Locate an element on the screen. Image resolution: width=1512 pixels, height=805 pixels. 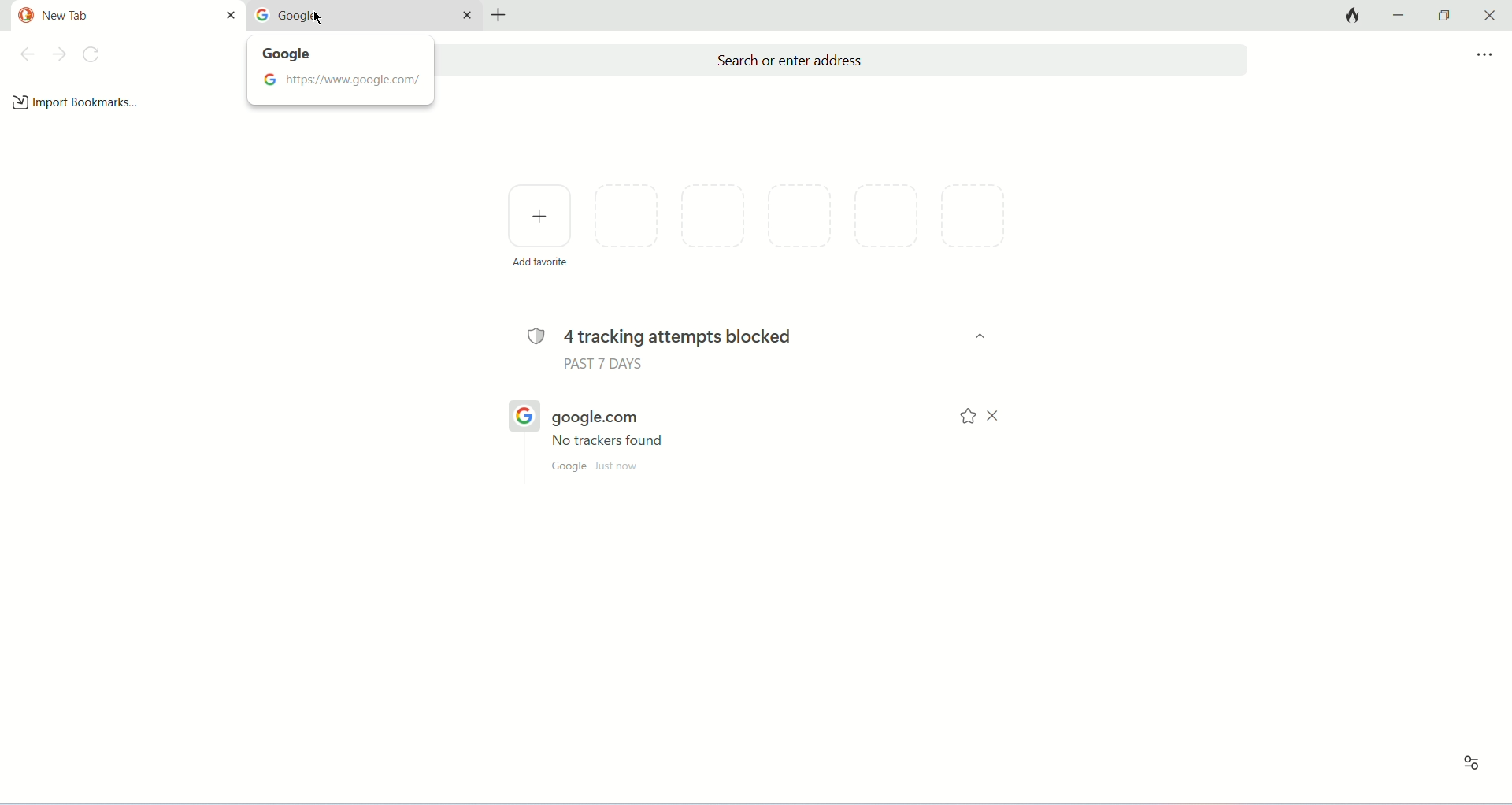
close  is located at coordinates (467, 17).